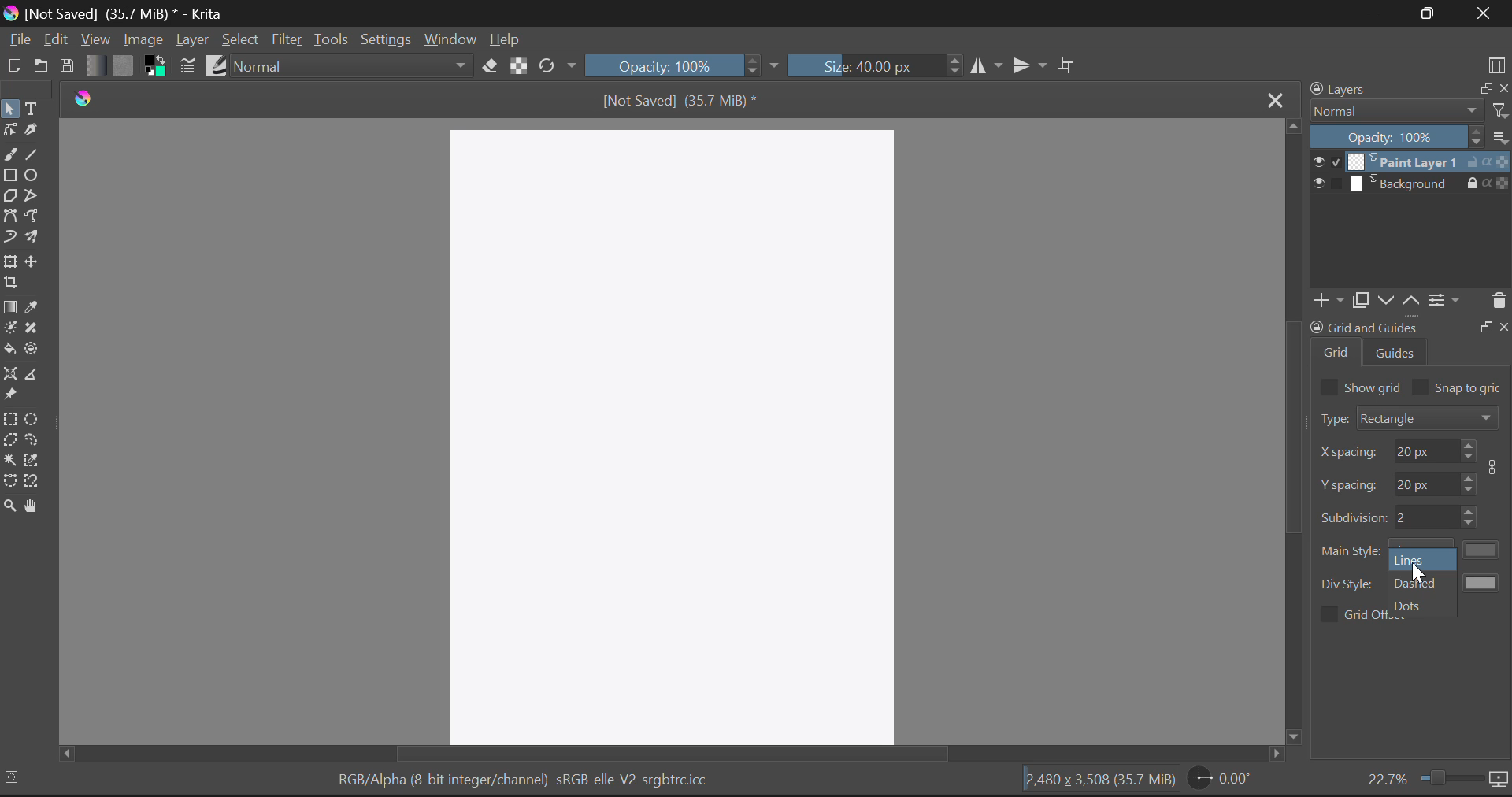  Describe the element at coordinates (1411, 607) in the screenshot. I see `Dots` at that location.